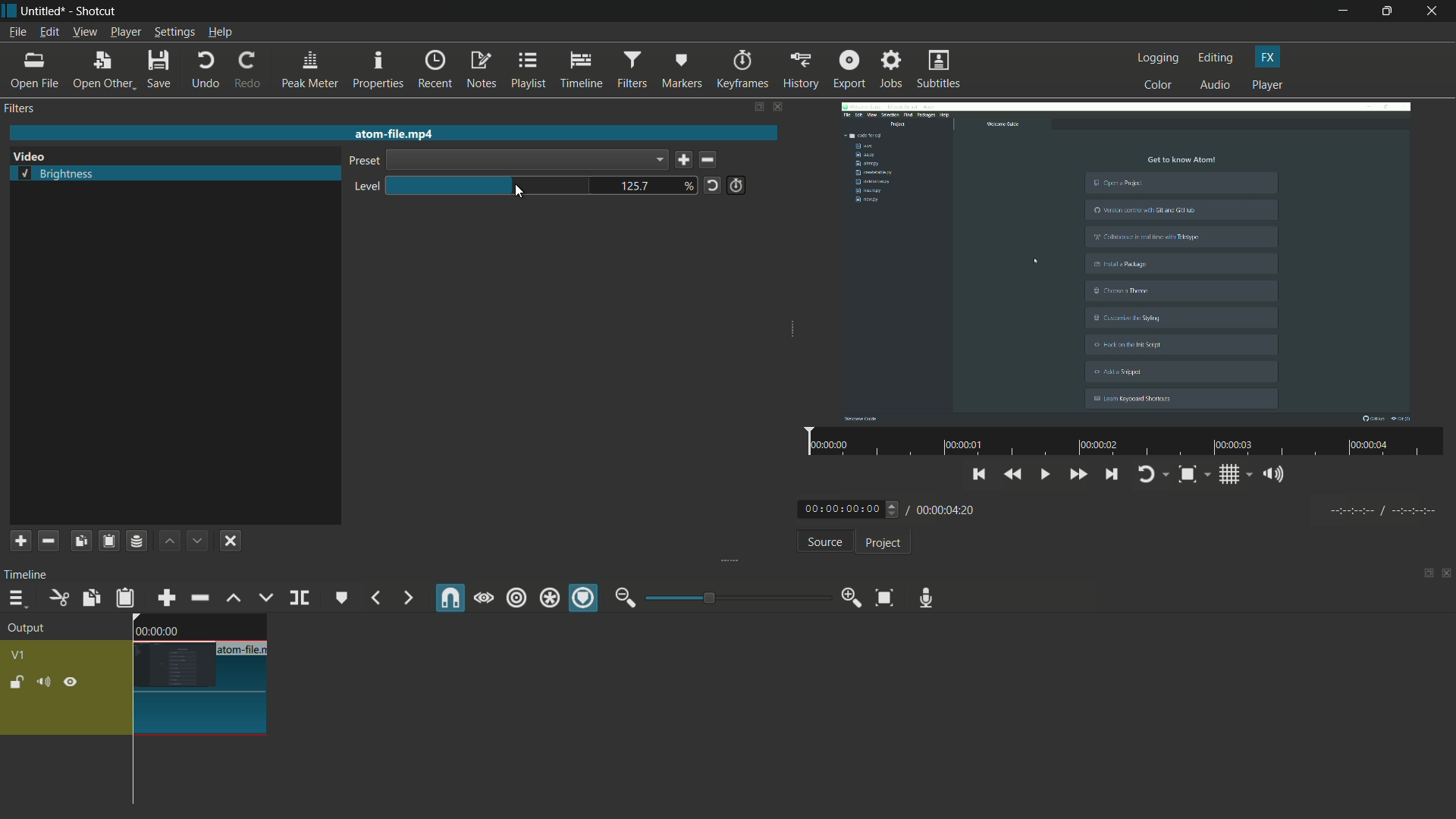 The height and width of the screenshot is (819, 1456). What do you see at coordinates (406, 598) in the screenshot?
I see `next marker` at bounding box center [406, 598].